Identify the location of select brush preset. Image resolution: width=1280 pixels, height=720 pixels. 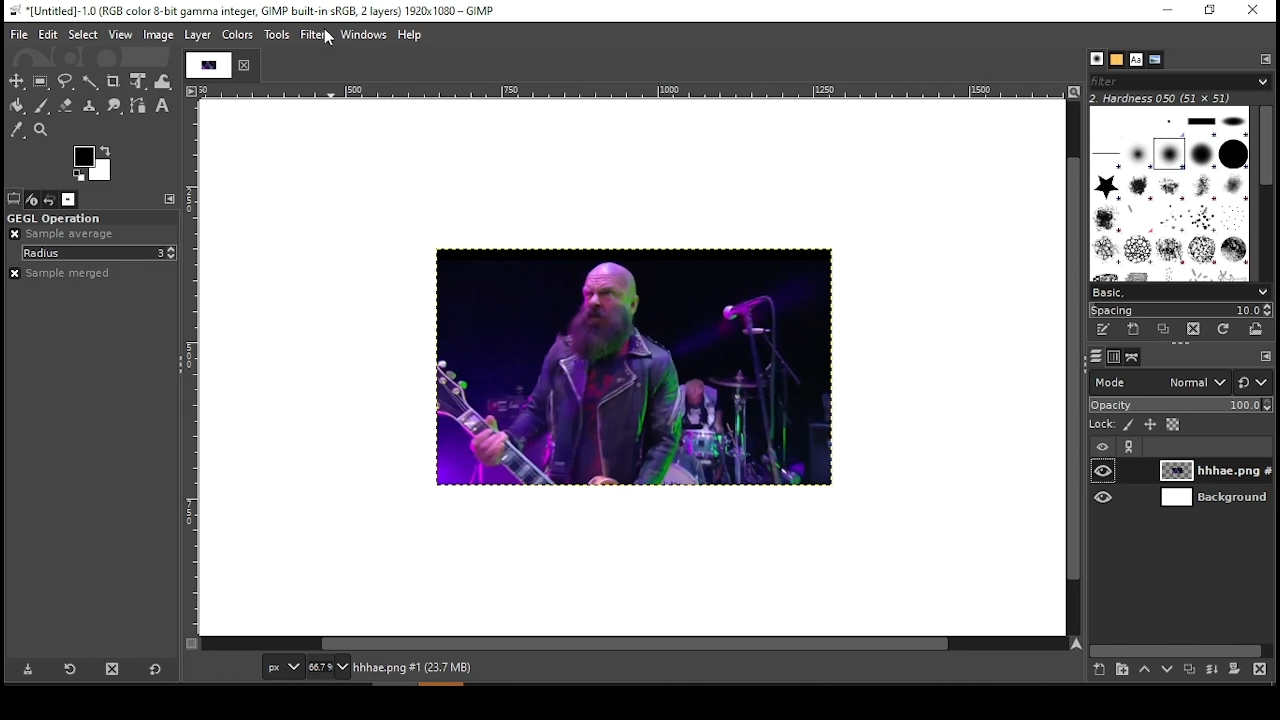
(1183, 293).